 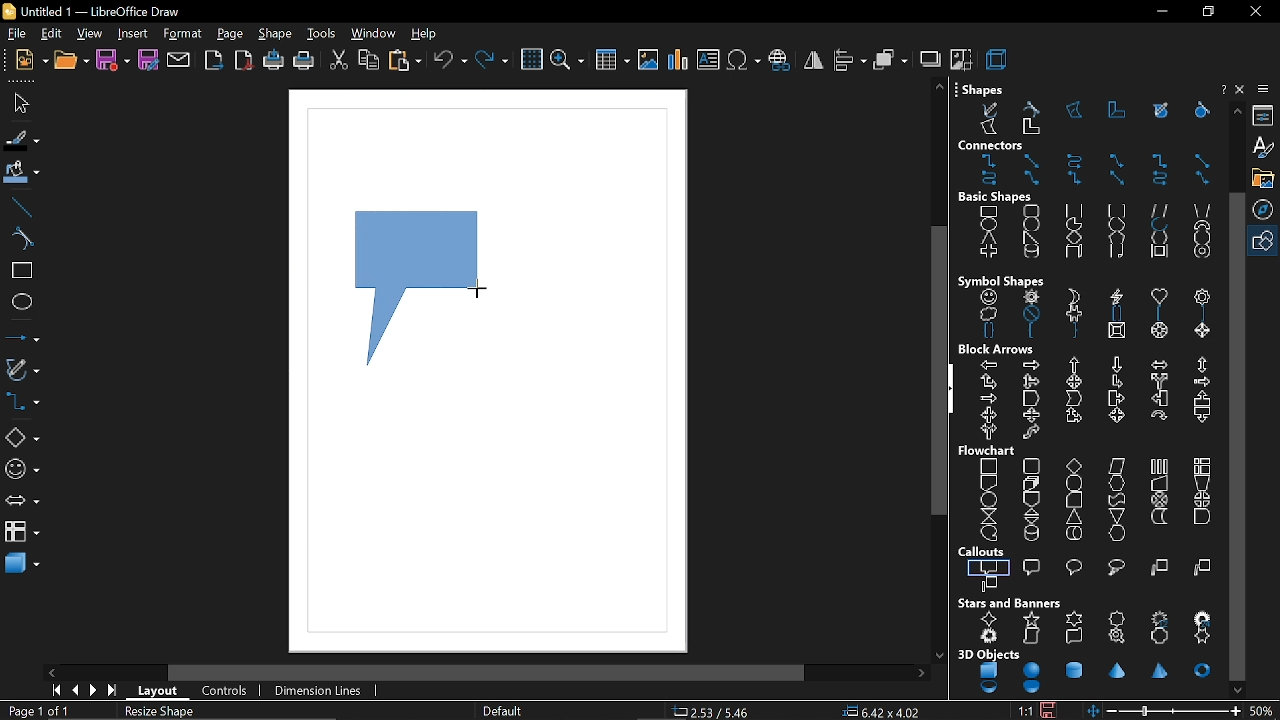 I want to click on move up, so click(x=1237, y=111).